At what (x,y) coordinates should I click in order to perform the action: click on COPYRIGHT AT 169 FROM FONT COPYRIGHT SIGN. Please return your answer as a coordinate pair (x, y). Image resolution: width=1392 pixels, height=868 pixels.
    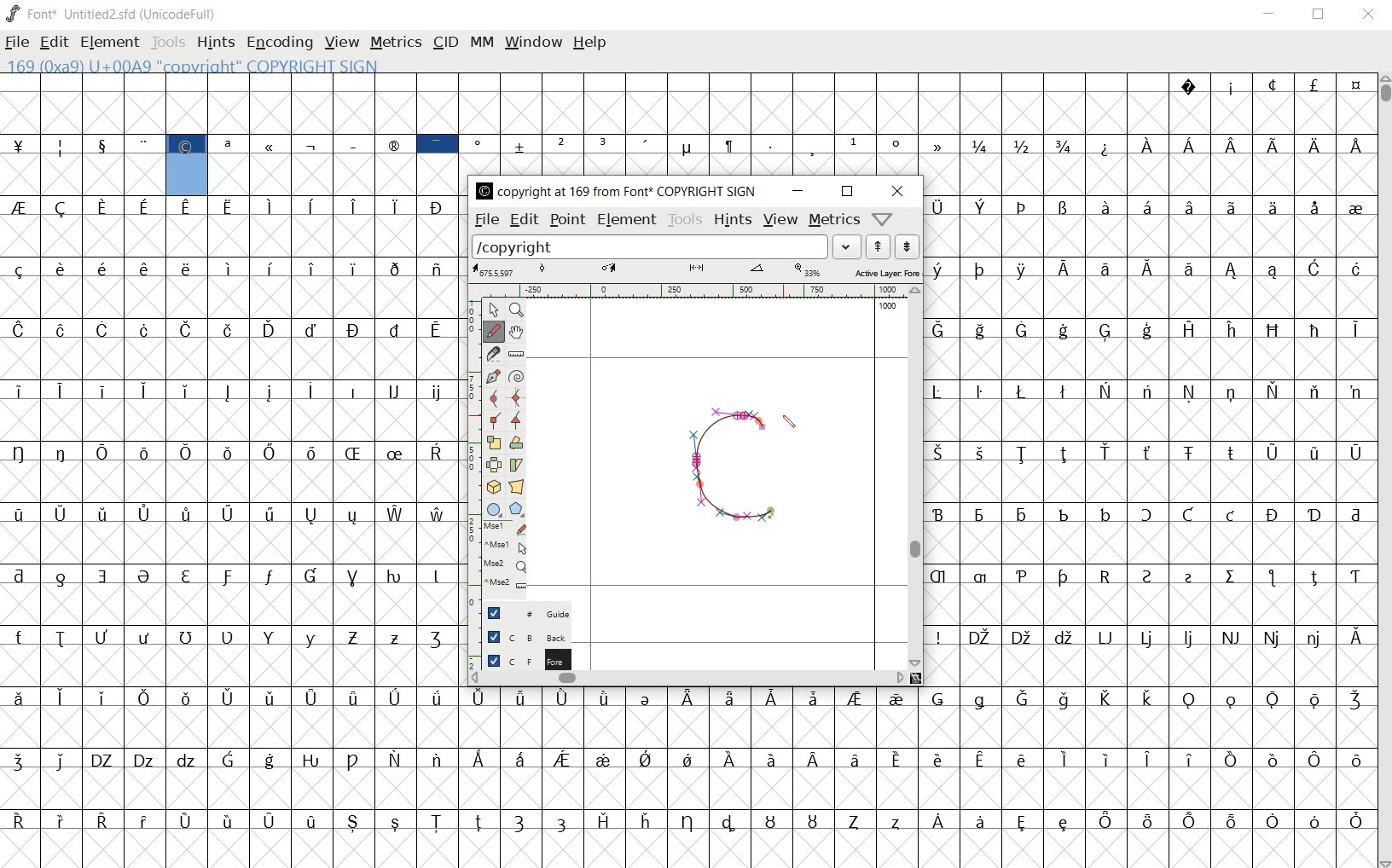
    Looking at the image, I should click on (612, 192).